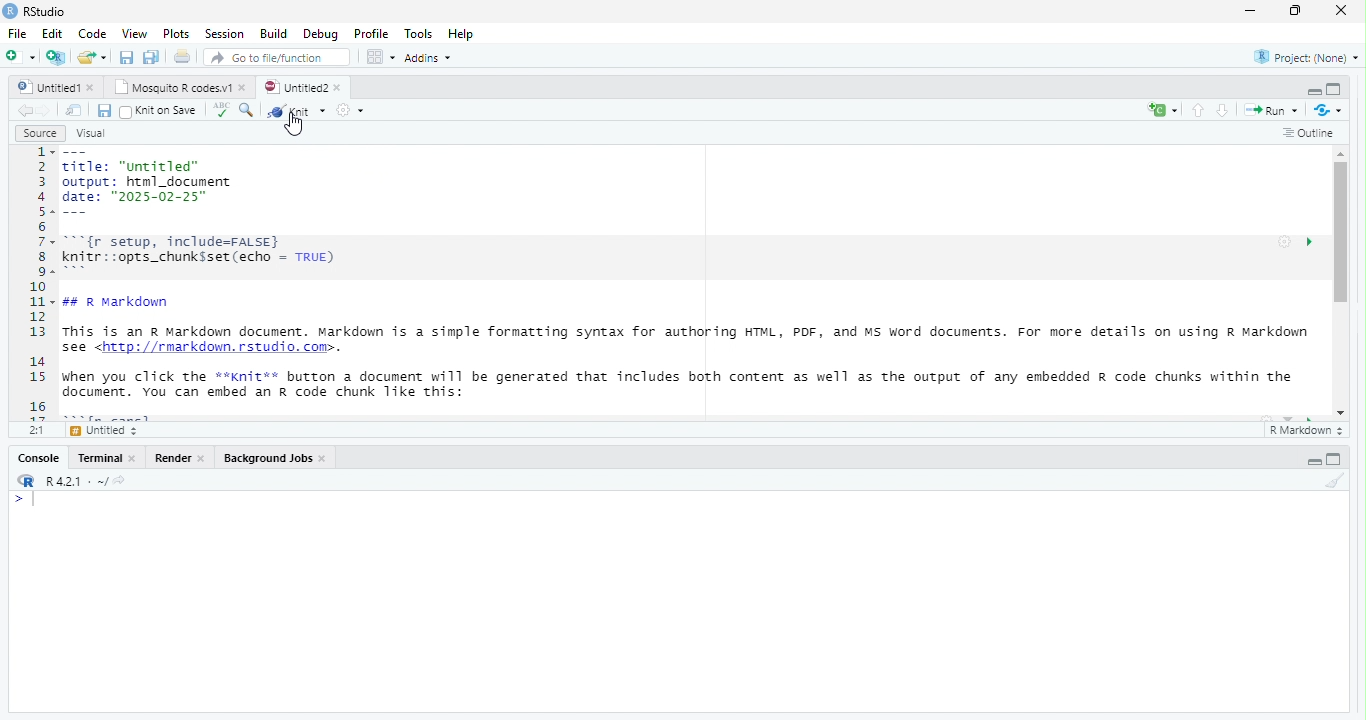  I want to click on close, so click(1342, 10).